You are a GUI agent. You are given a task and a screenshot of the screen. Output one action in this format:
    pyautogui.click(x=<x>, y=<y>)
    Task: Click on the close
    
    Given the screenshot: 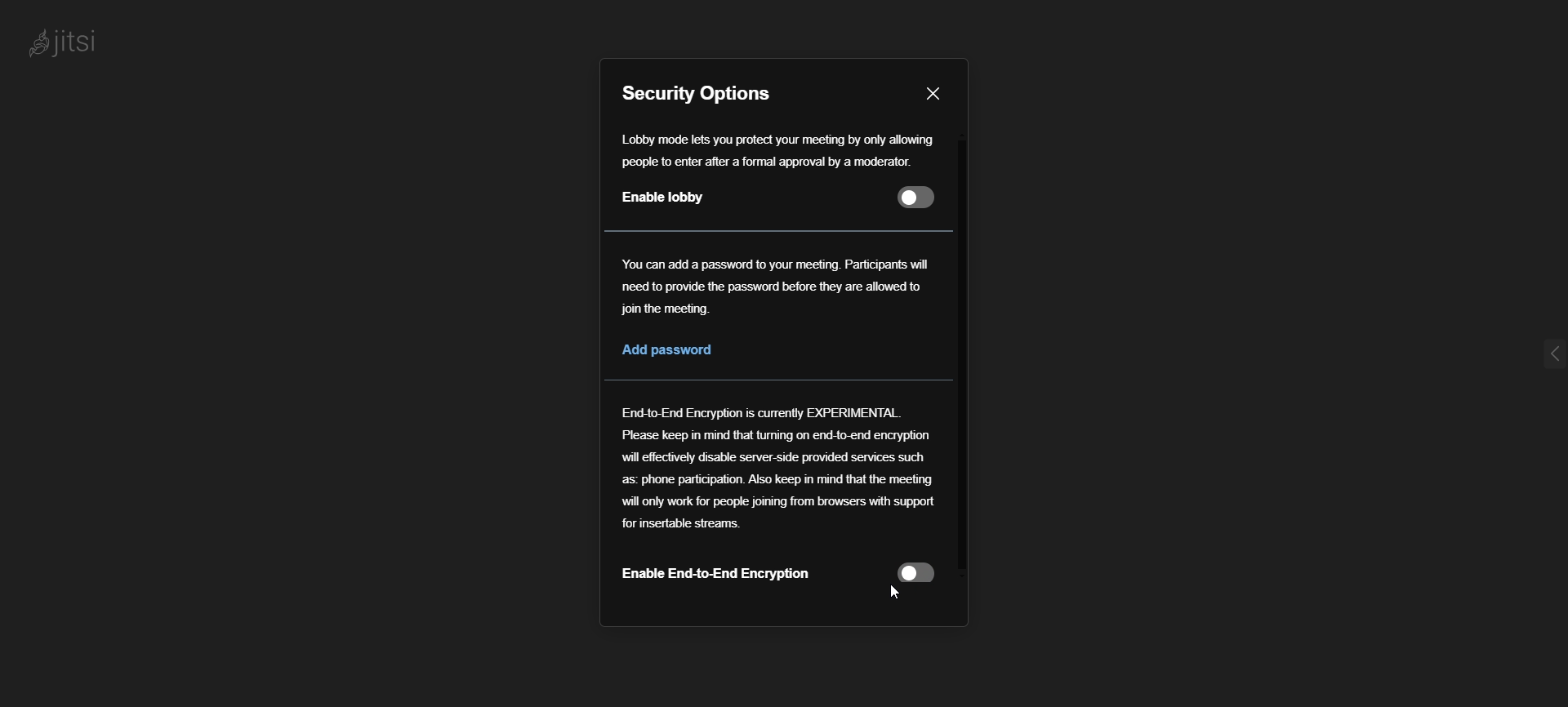 What is the action you would take?
    pyautogui.click(x=936, y=91)
    